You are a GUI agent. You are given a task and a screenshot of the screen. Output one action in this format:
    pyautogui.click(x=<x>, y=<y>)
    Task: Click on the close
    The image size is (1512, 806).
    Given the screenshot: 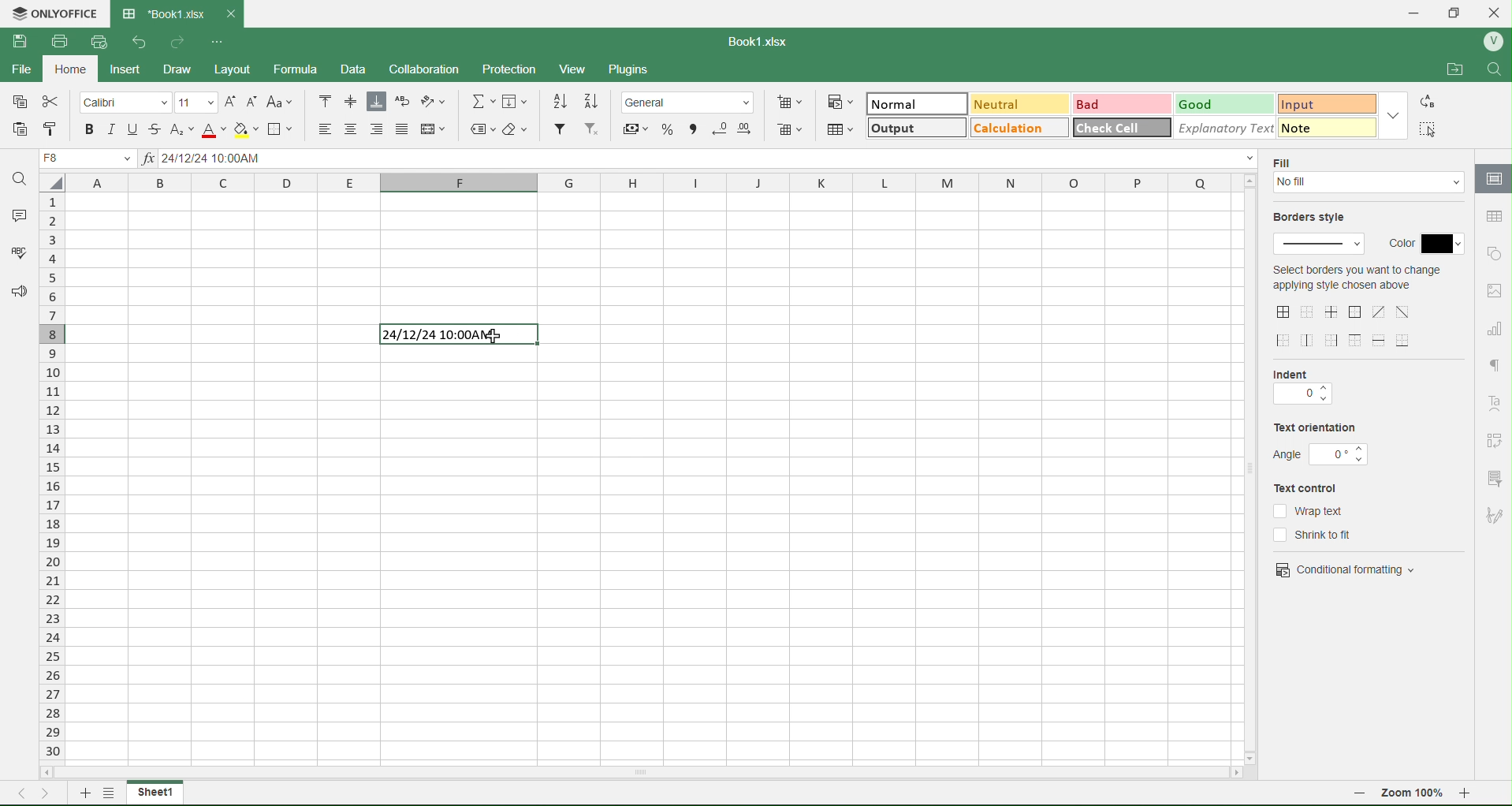 What is the action you would take?
    pyautogui.click(x=1499, y=11)
    